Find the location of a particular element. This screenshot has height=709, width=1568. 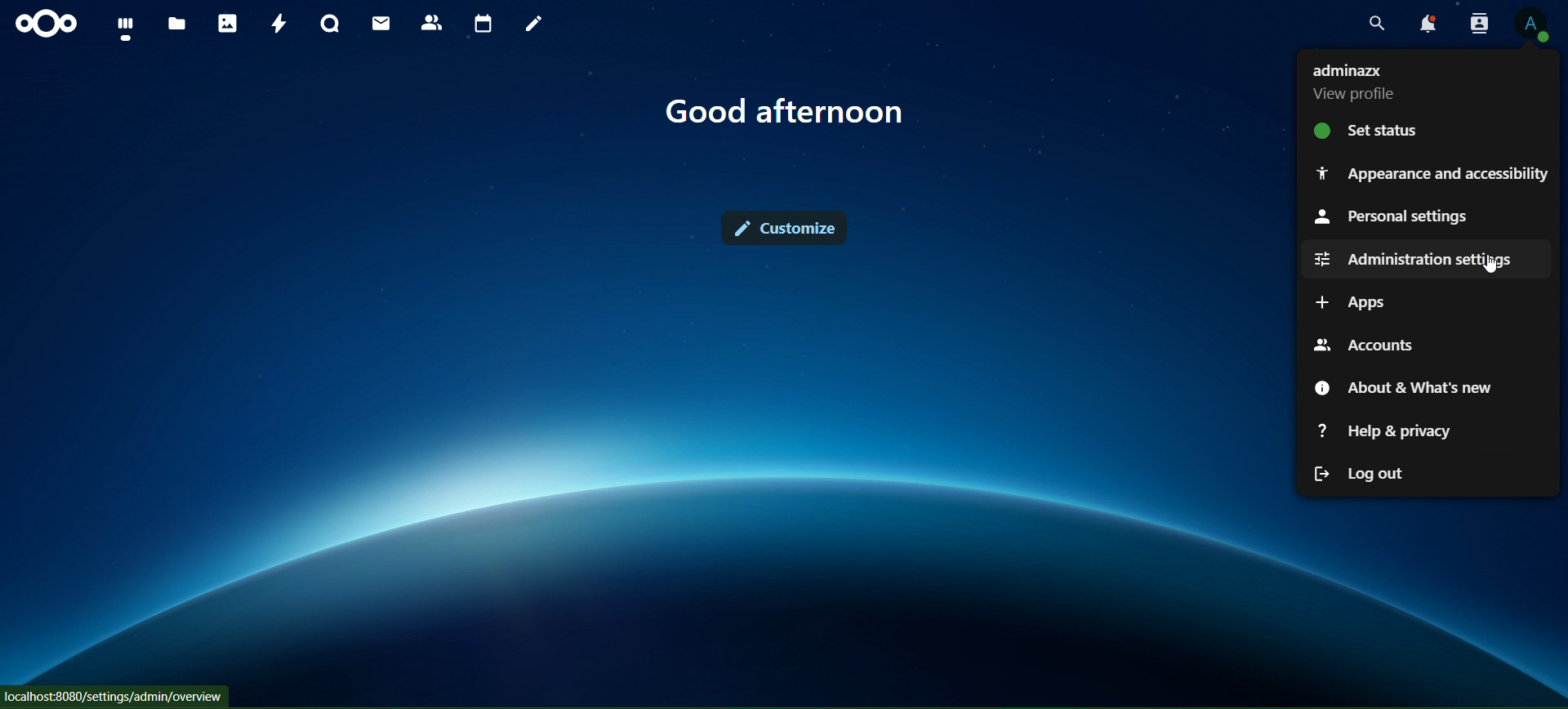

help & privacy is located at coordinates (1388, 430).